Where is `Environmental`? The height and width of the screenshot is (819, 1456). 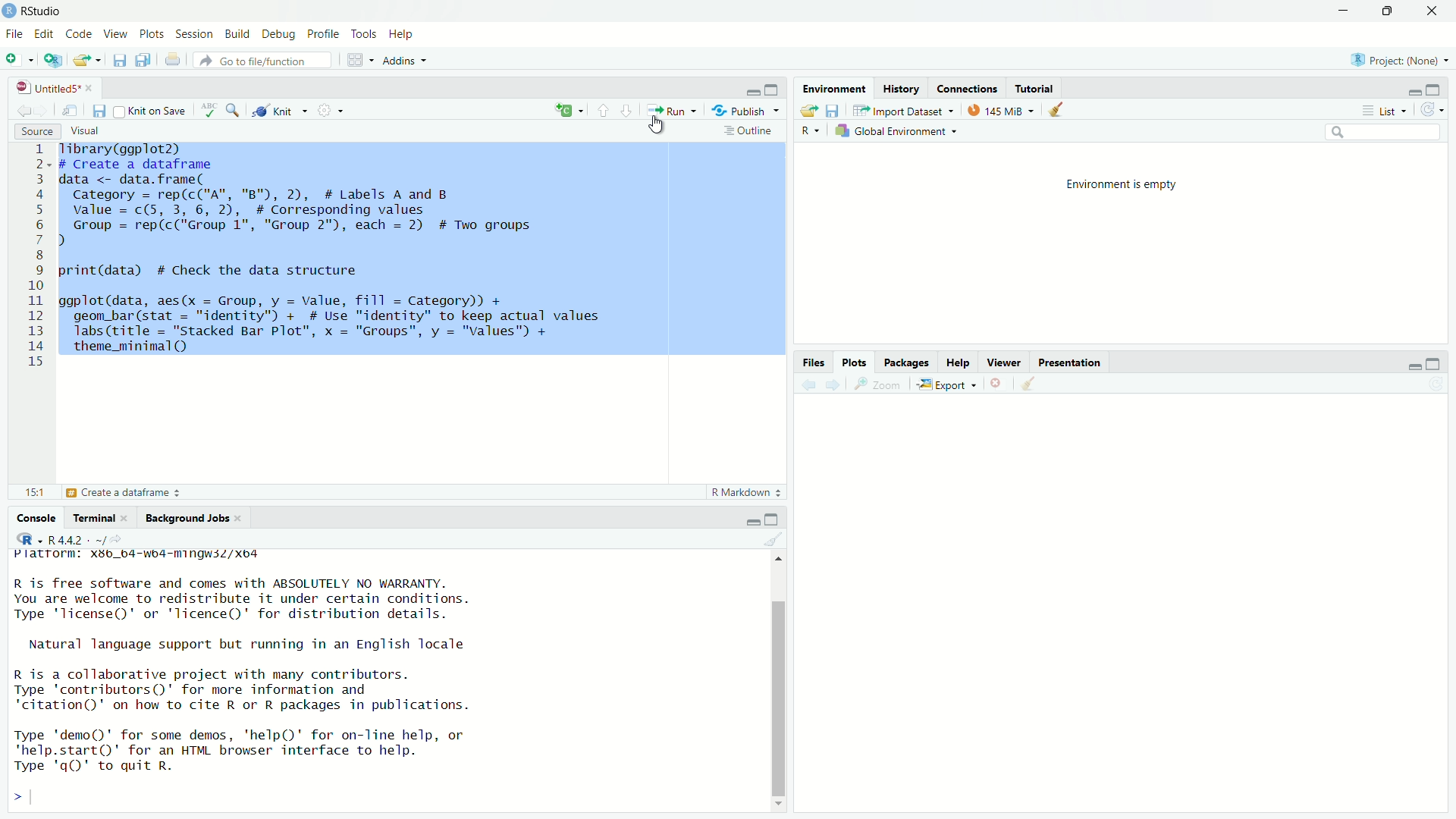
Environmental is located at coordinates (834, 87).